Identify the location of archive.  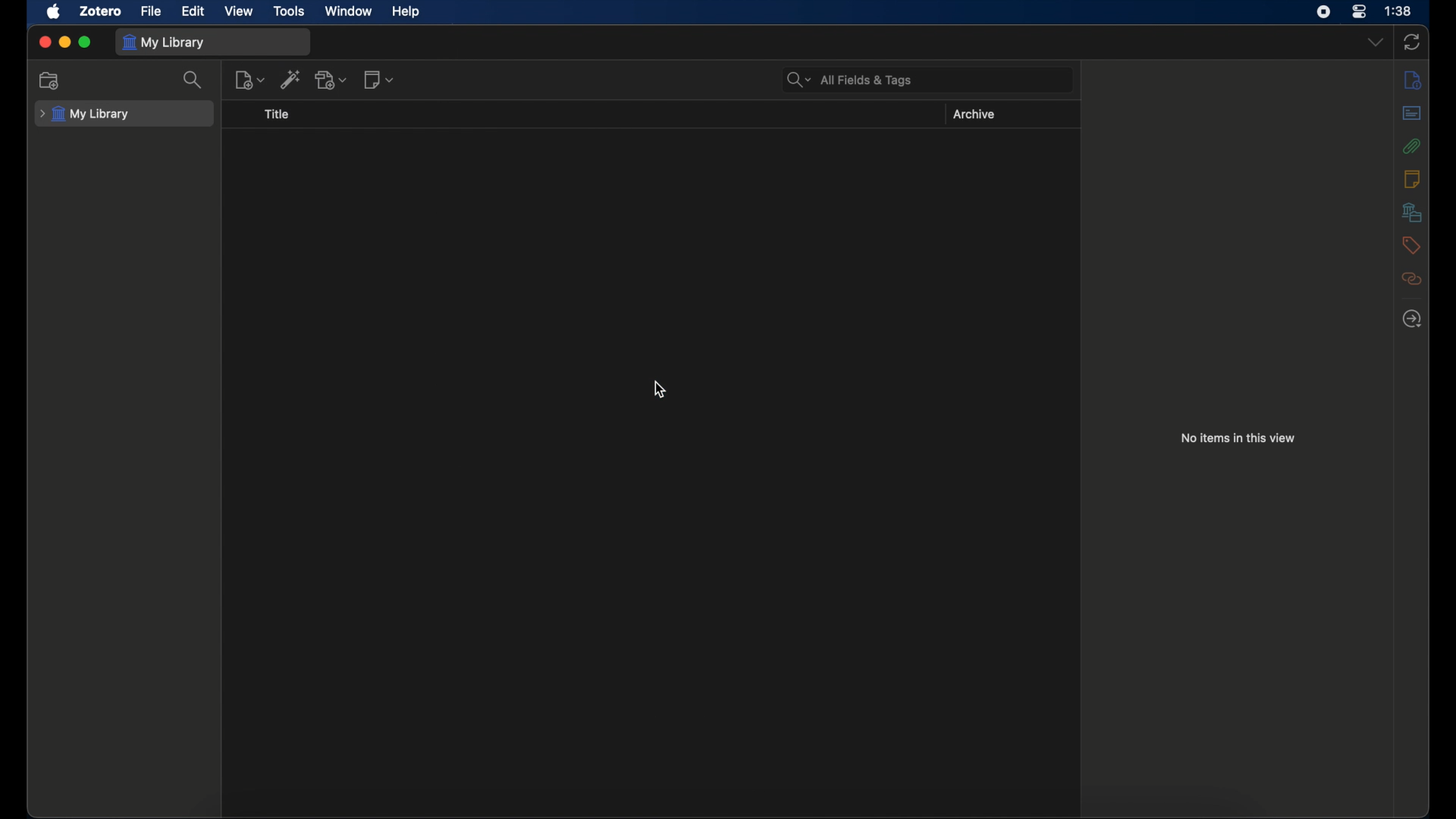
(974, 115).